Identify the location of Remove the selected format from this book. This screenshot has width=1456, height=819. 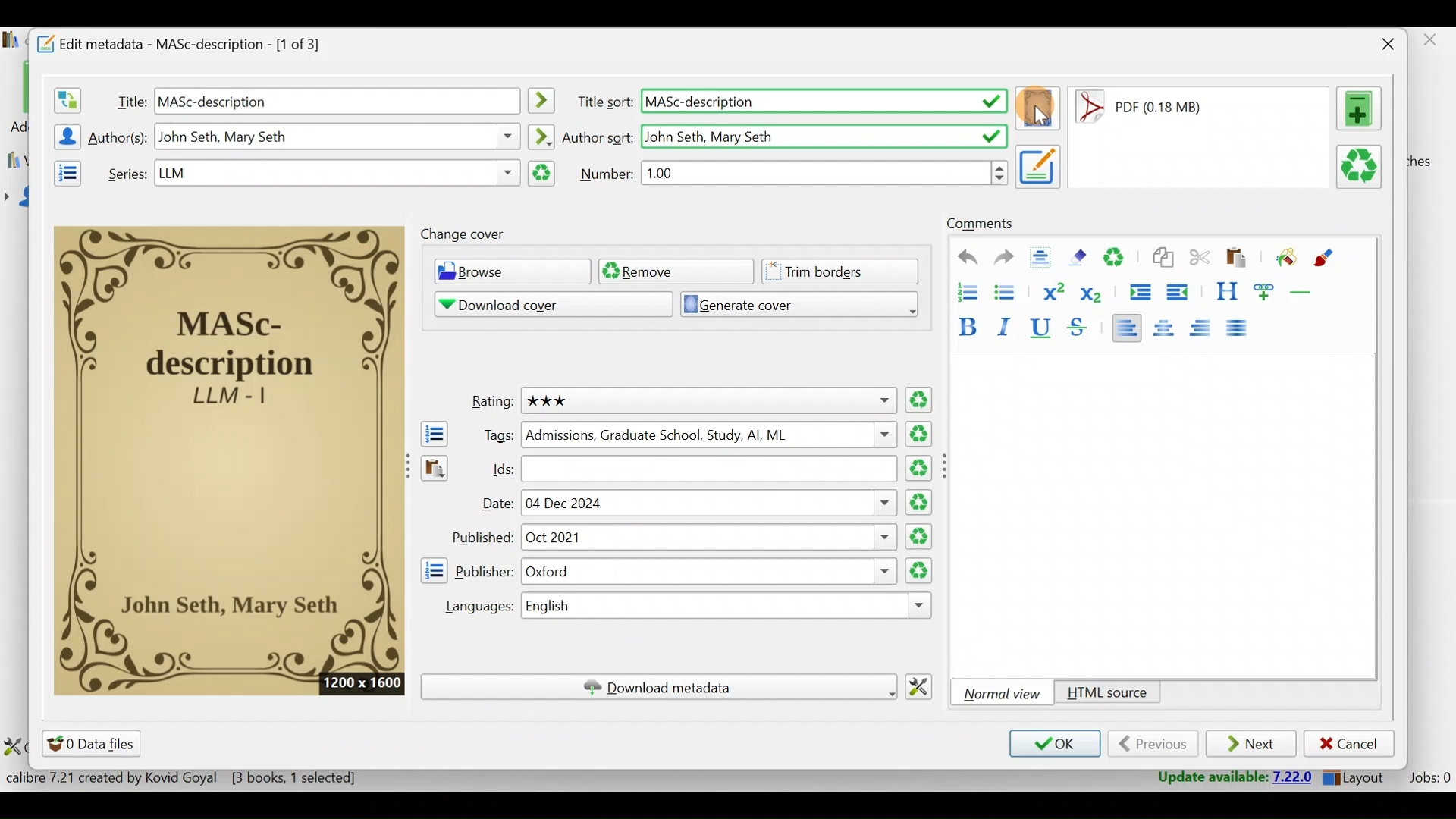
(1362, 168).